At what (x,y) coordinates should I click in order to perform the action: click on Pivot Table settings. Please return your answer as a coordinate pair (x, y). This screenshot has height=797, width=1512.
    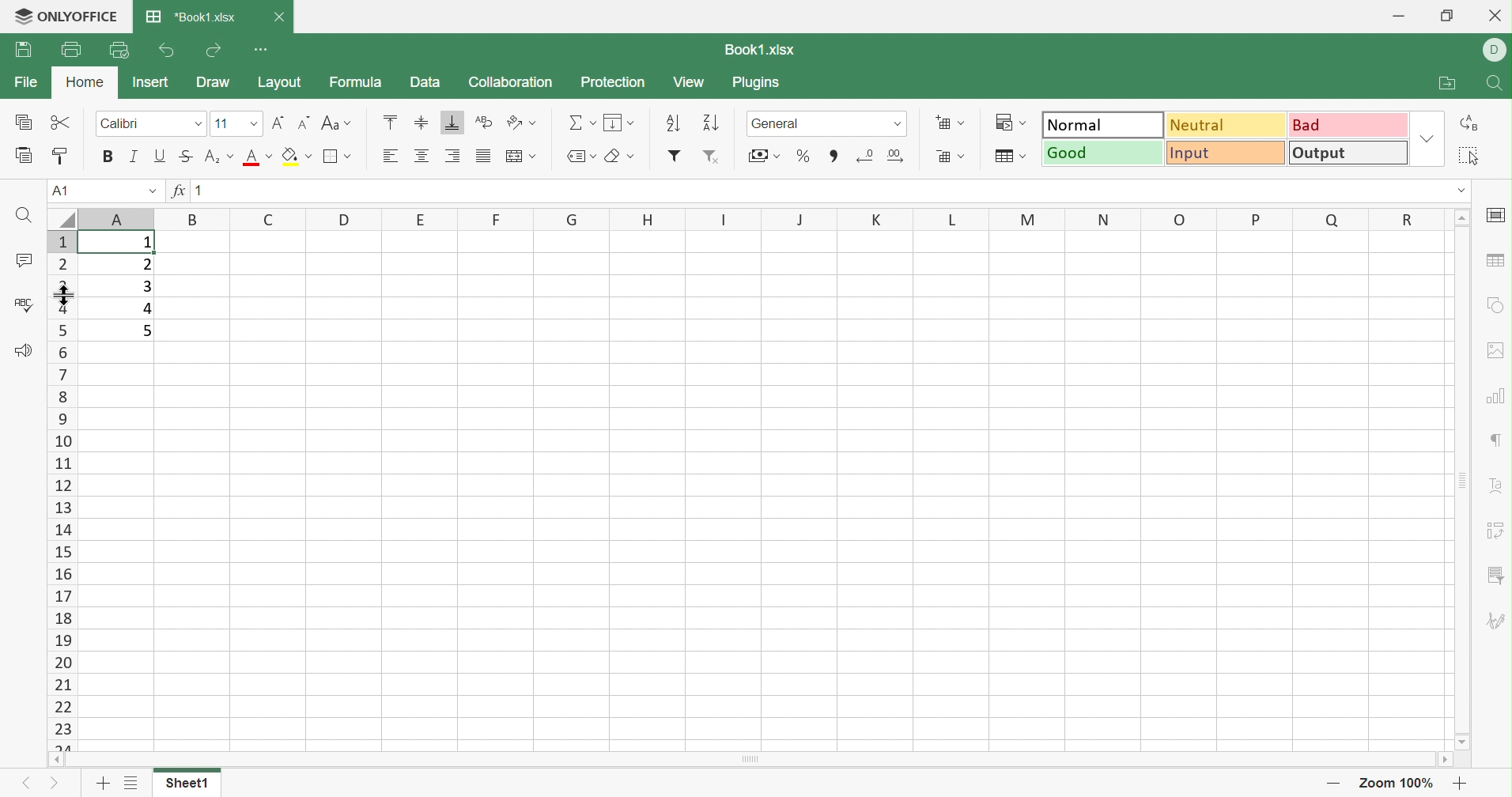
    Looking at the image, I should click on (1496, 529).